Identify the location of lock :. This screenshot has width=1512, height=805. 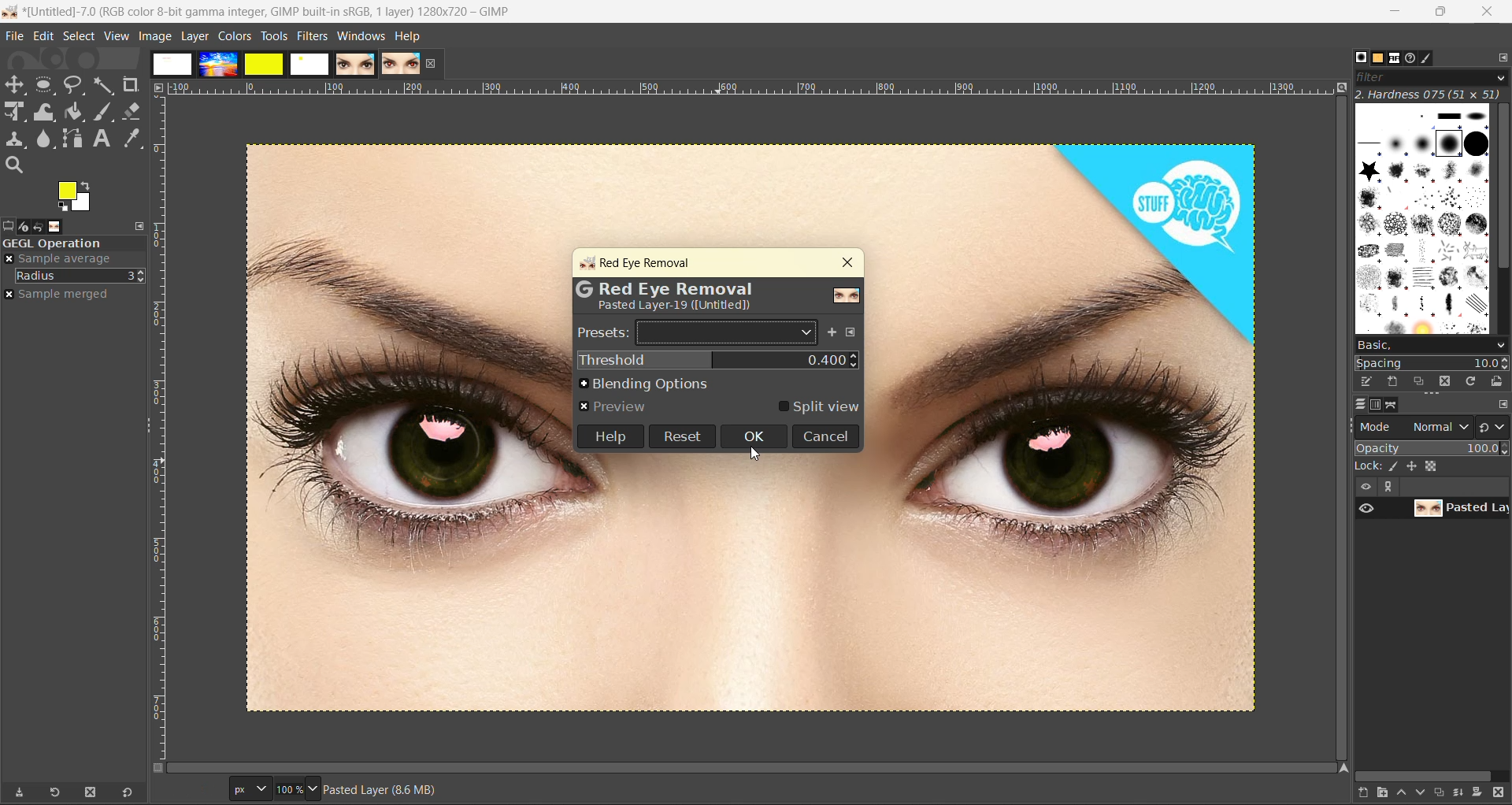
(1366, 466).